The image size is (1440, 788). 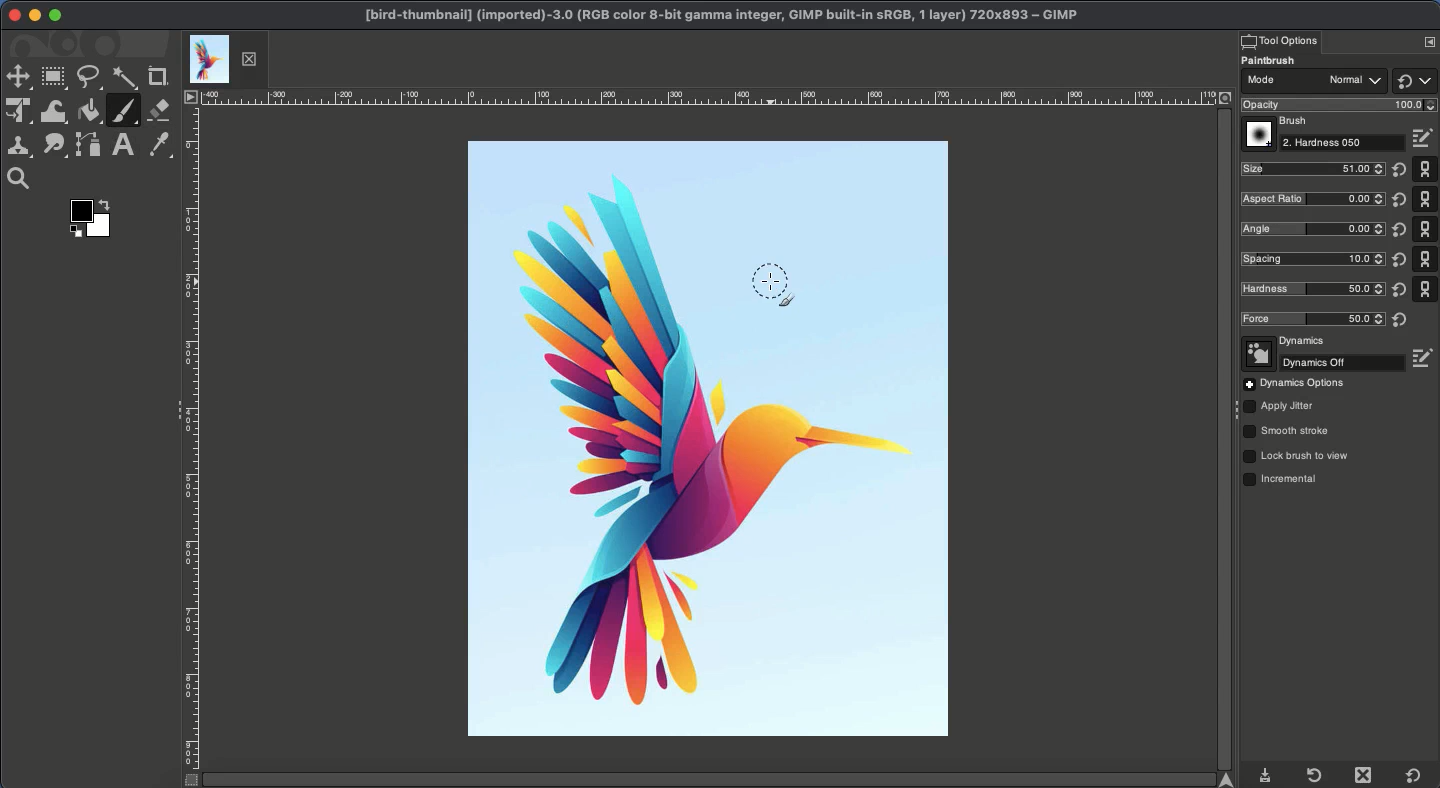 I want to click on Smooth stroke, so click(x=1287, y=432).